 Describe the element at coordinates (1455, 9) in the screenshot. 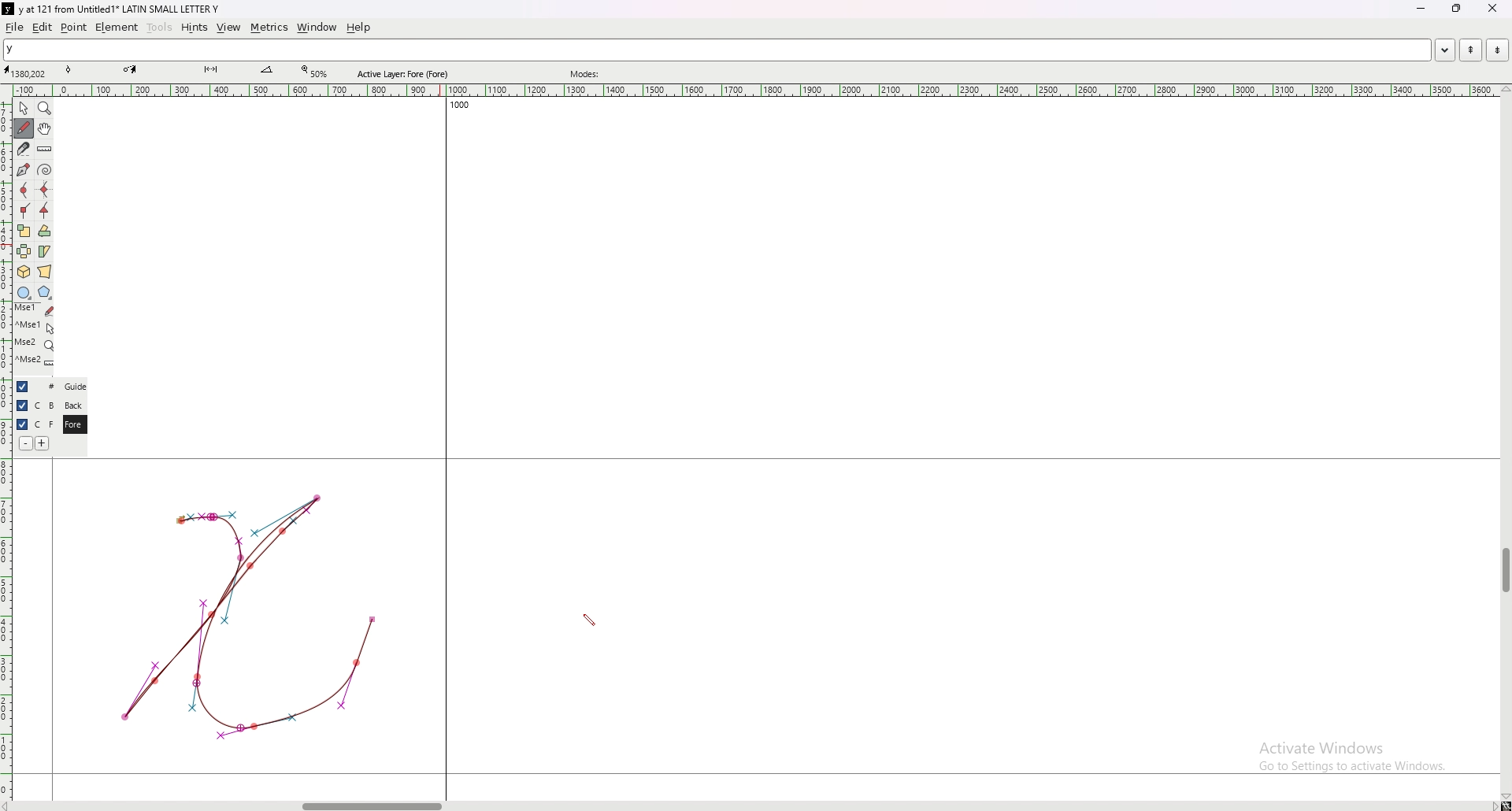

I see `resize` at that location.